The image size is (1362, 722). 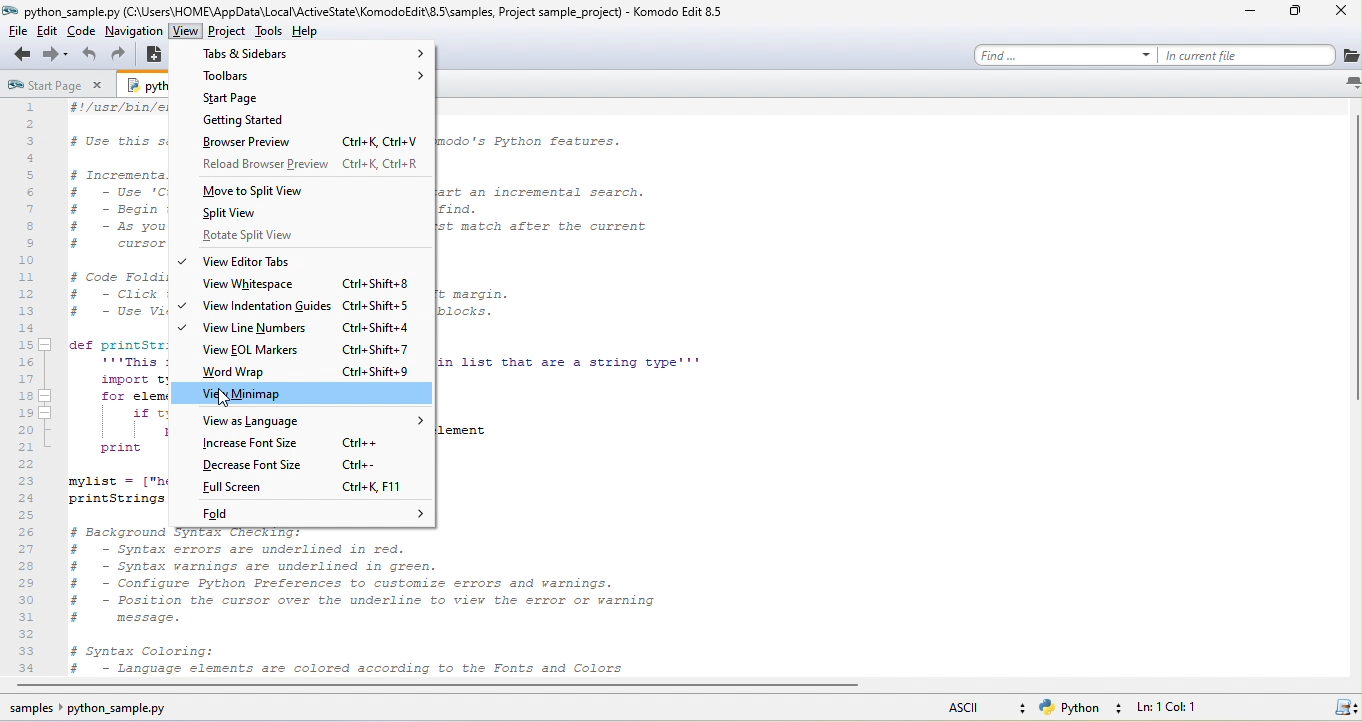 What do you see at coordinates (458, 605) in the screenshot?
I see `python code` at bounding box center [458, 605].